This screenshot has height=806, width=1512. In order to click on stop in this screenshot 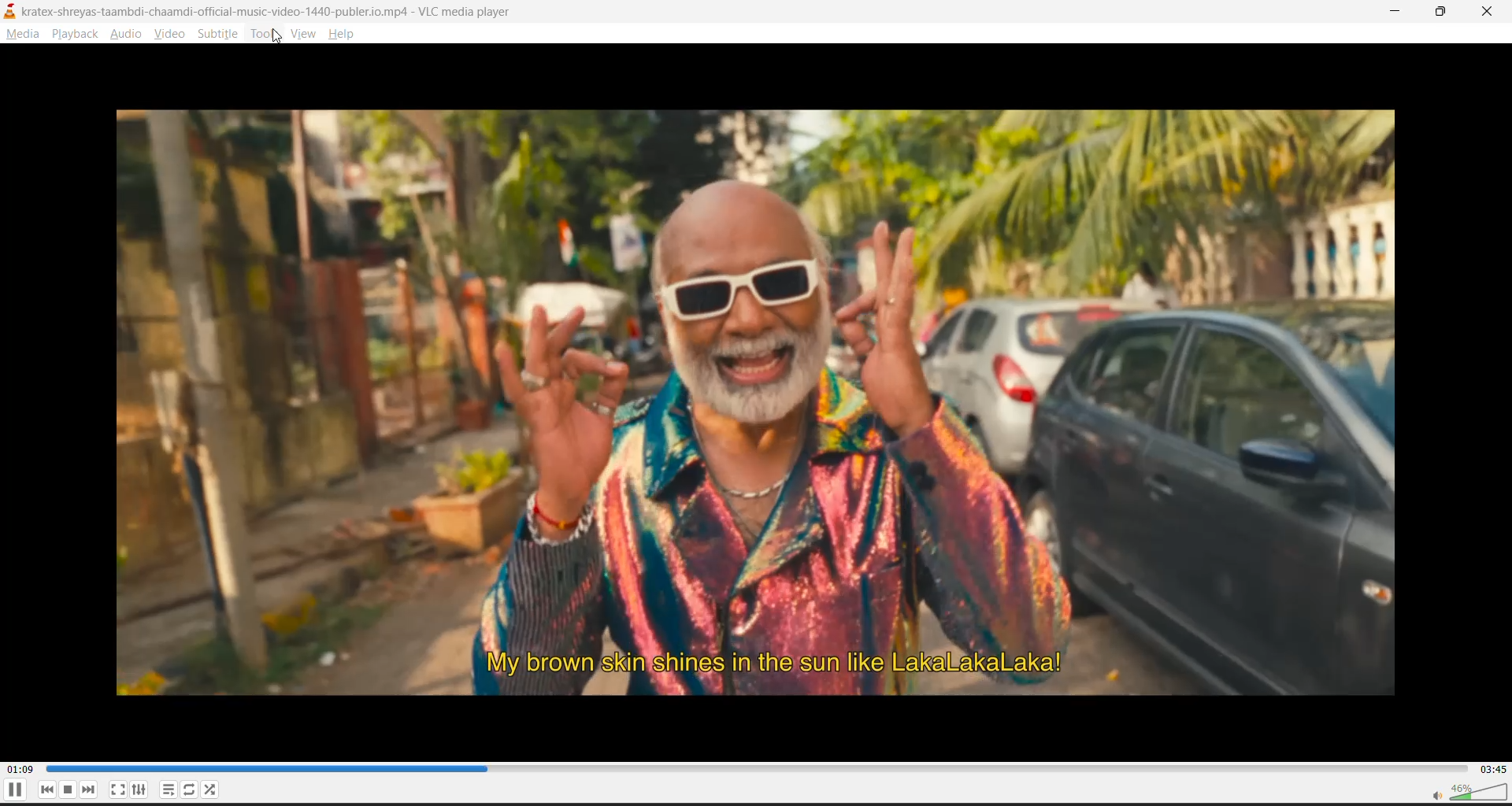, I will do `click(69, 789)`.